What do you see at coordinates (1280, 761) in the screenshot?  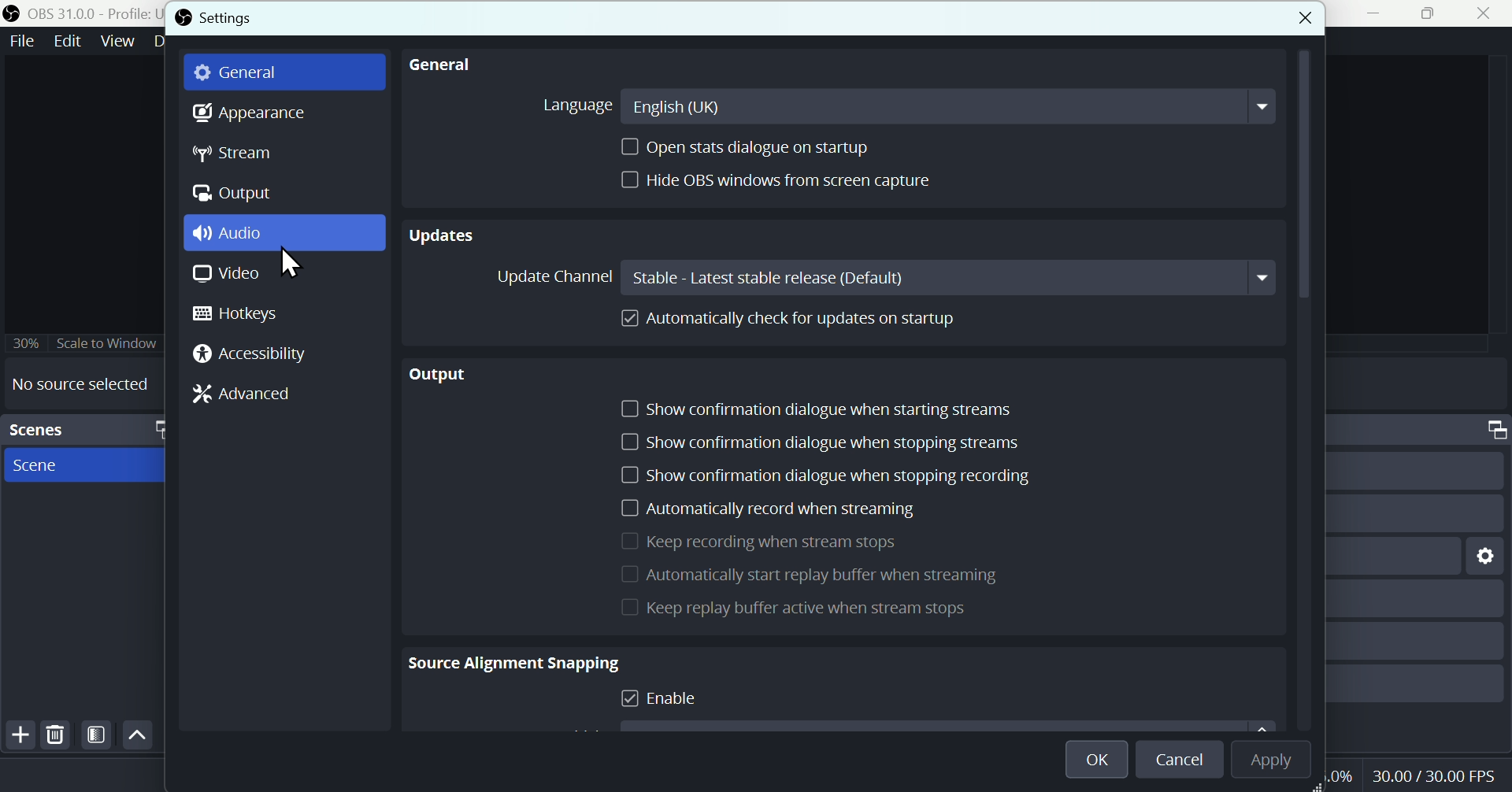 I see `Apply` at bounding box center [1280, 761].